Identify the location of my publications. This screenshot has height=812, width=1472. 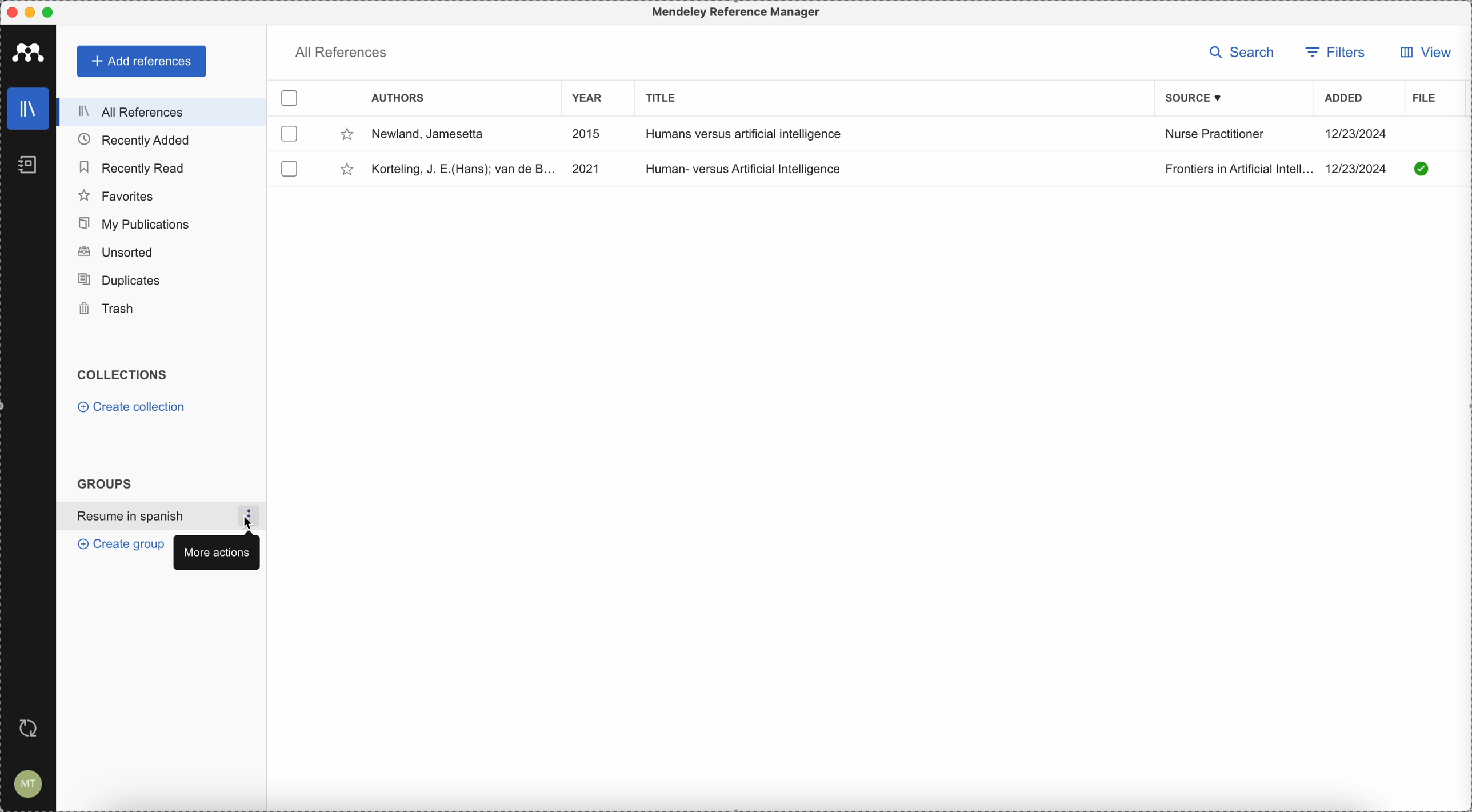
(137, 221).